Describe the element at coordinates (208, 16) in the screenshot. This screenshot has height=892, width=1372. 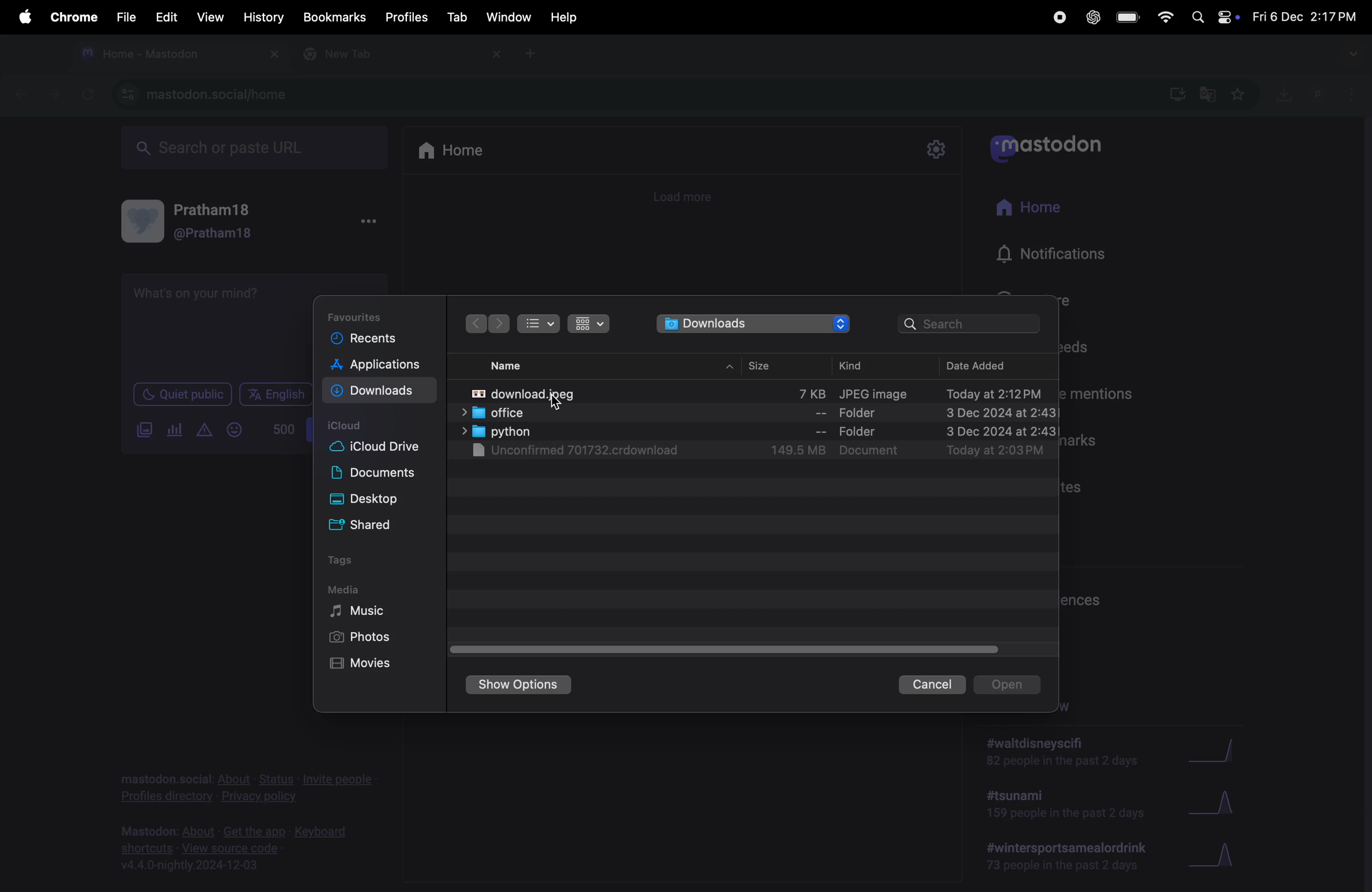
I see `view` at that location.